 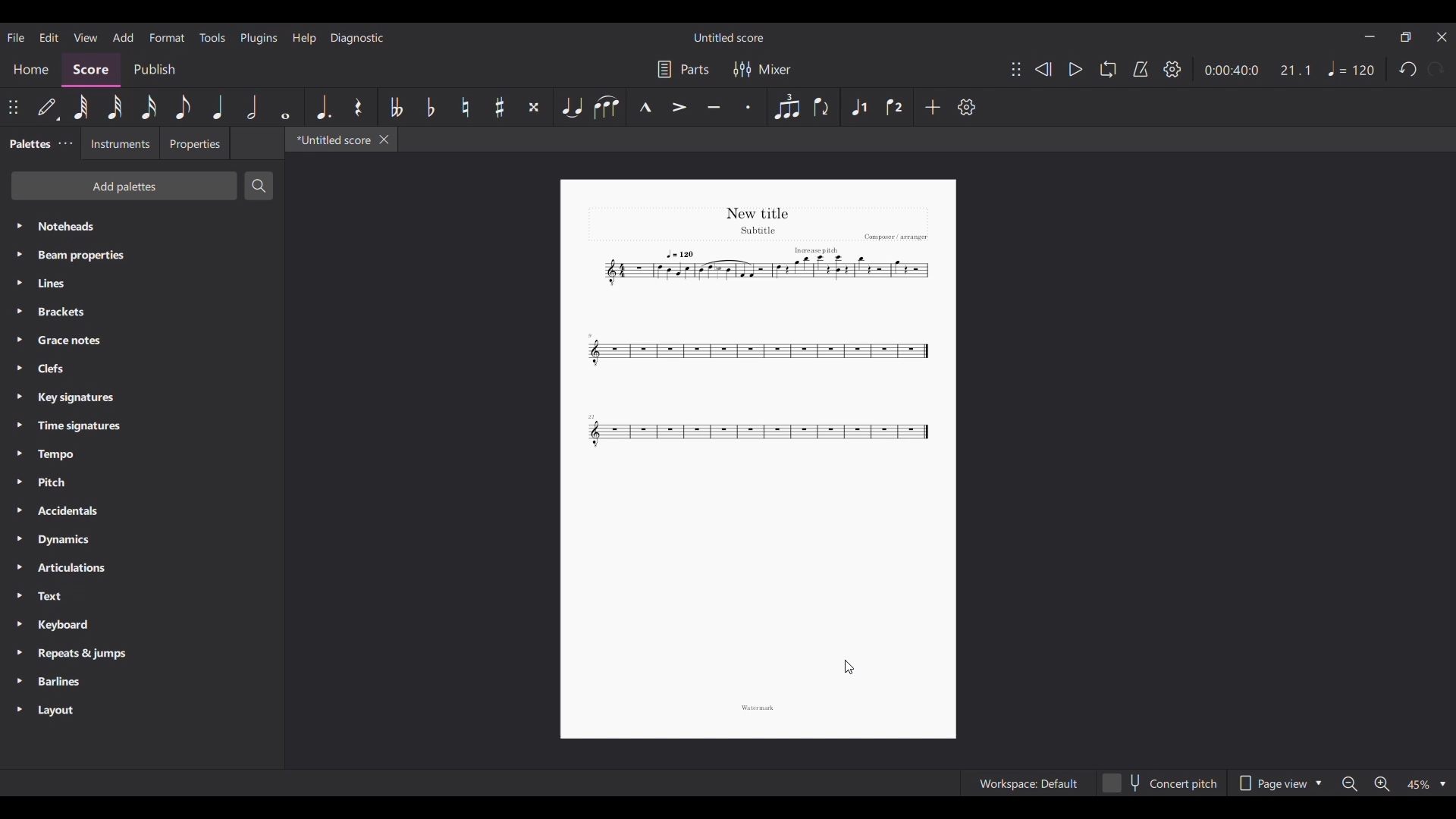 I want to click on Palettes, so click(x=28, y=143).